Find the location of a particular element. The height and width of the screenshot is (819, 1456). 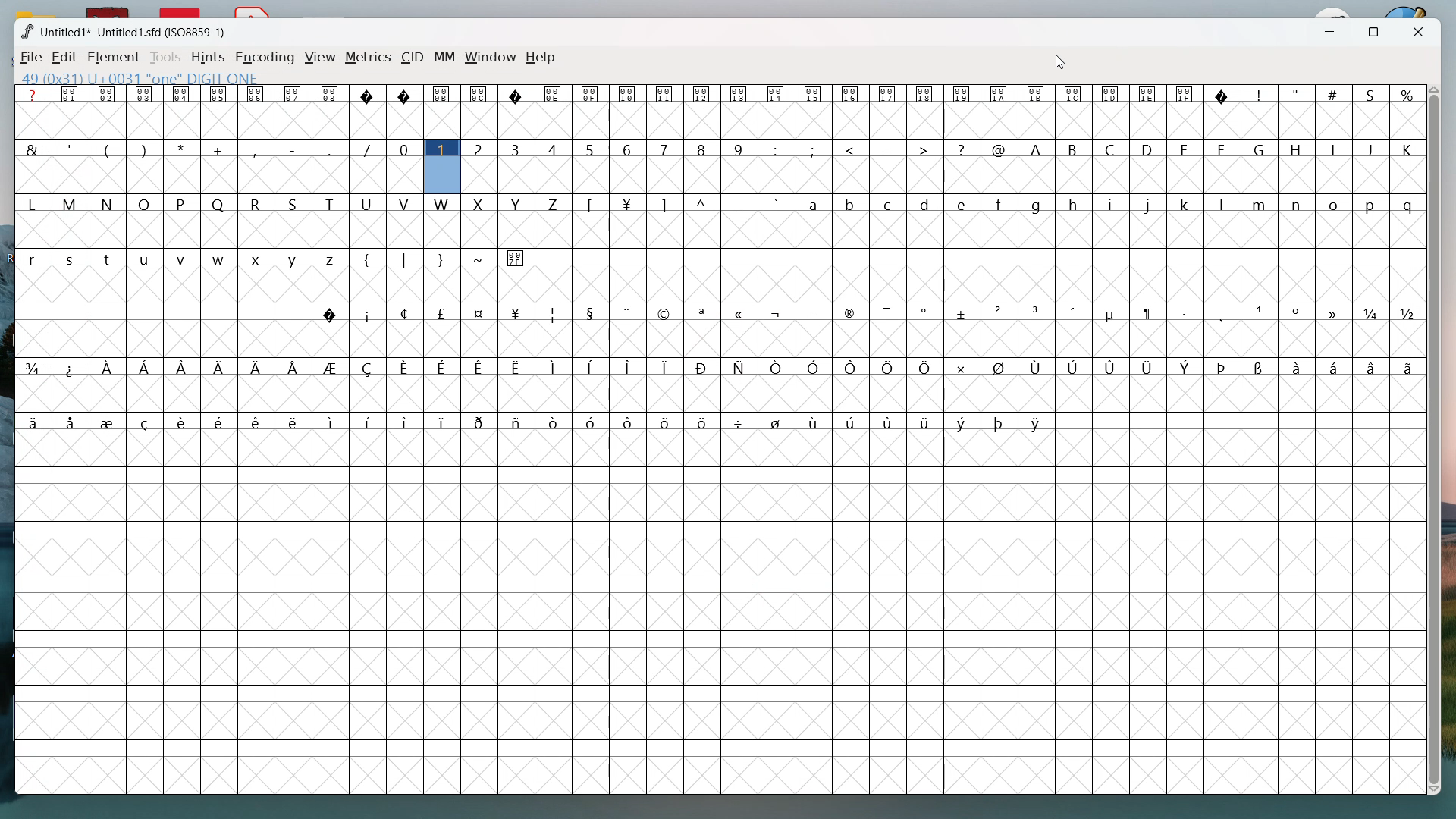

symbol is located at coordinates (740, 366).